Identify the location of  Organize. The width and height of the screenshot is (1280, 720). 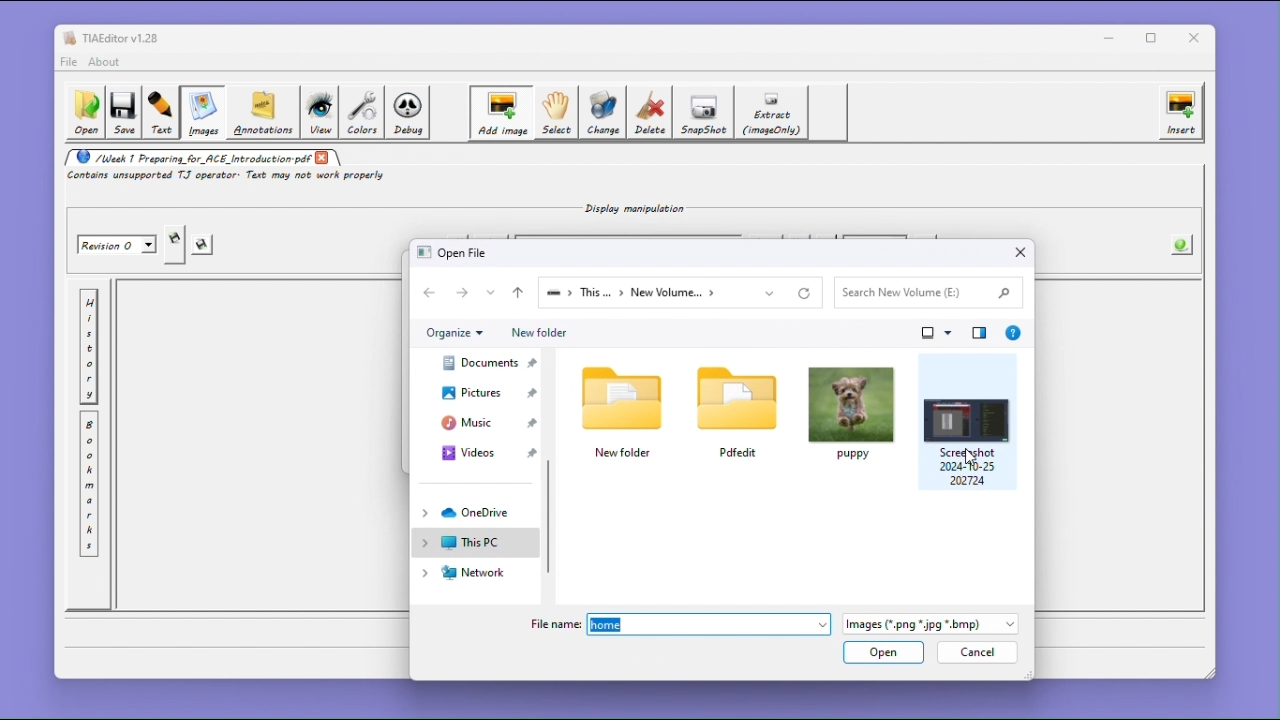
(454, 333).